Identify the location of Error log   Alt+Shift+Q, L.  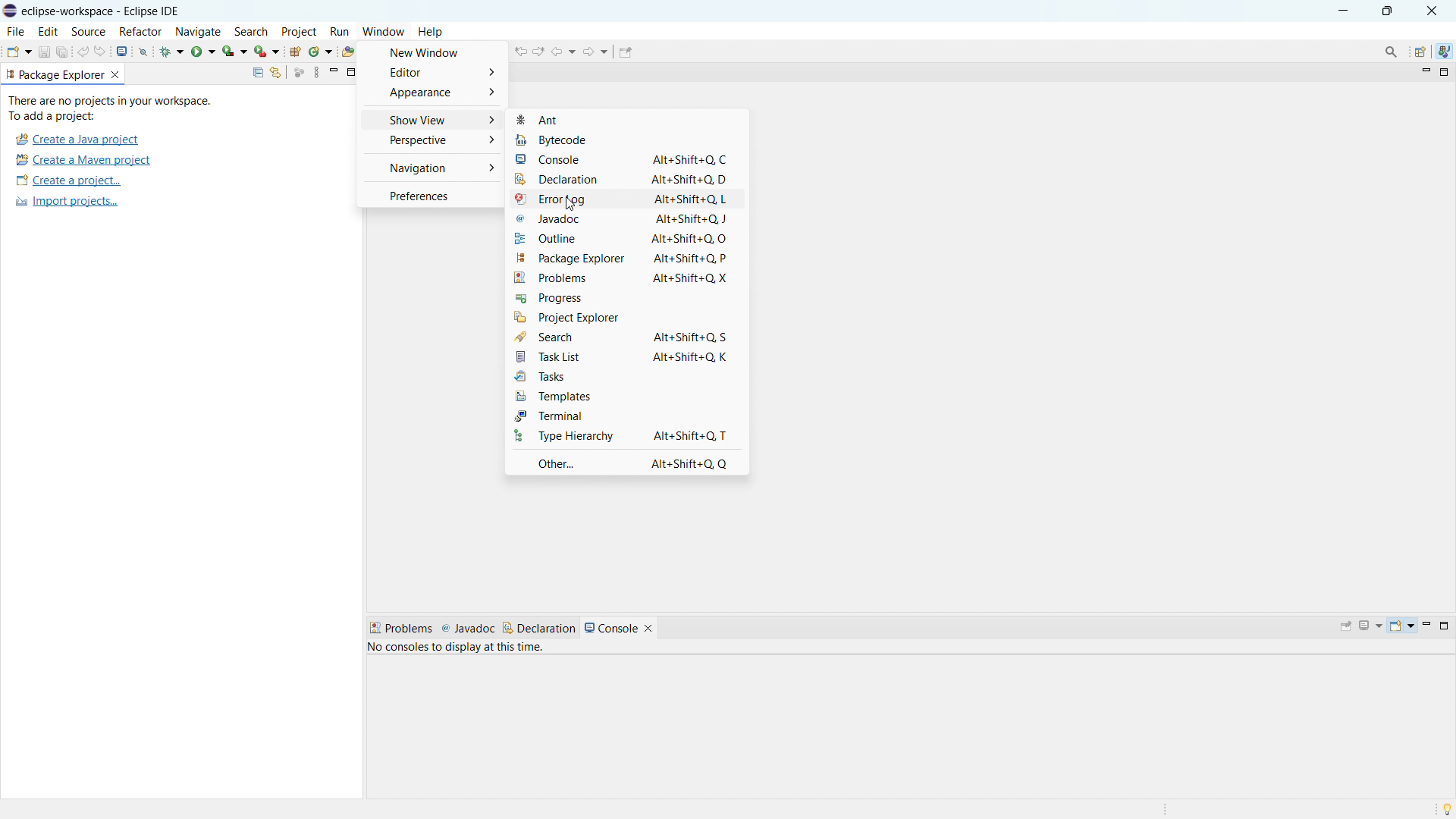
(623, 199).